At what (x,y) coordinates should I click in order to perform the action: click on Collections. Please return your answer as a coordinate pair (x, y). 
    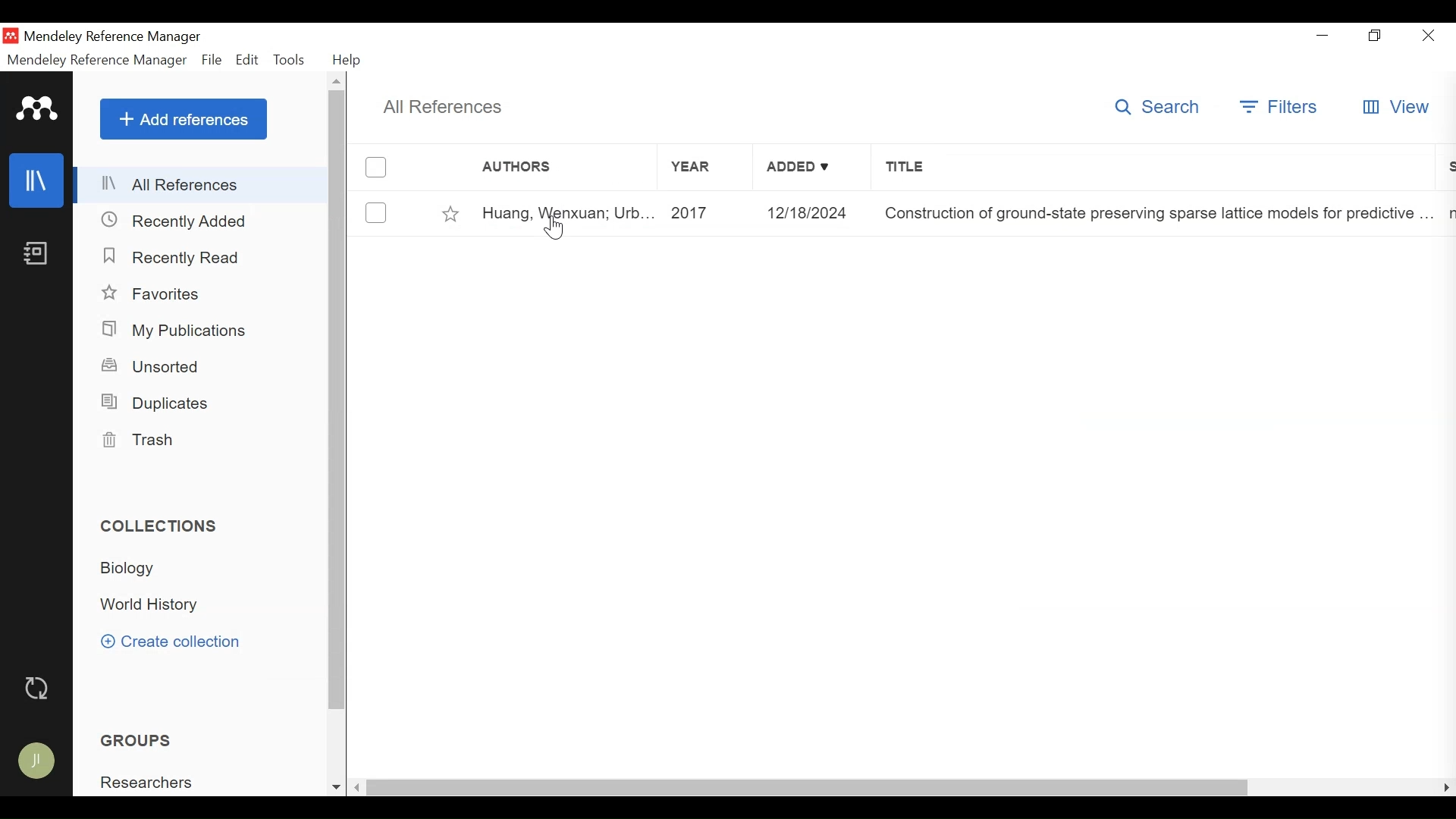
    Looking at the image, I should click on (162, 525).